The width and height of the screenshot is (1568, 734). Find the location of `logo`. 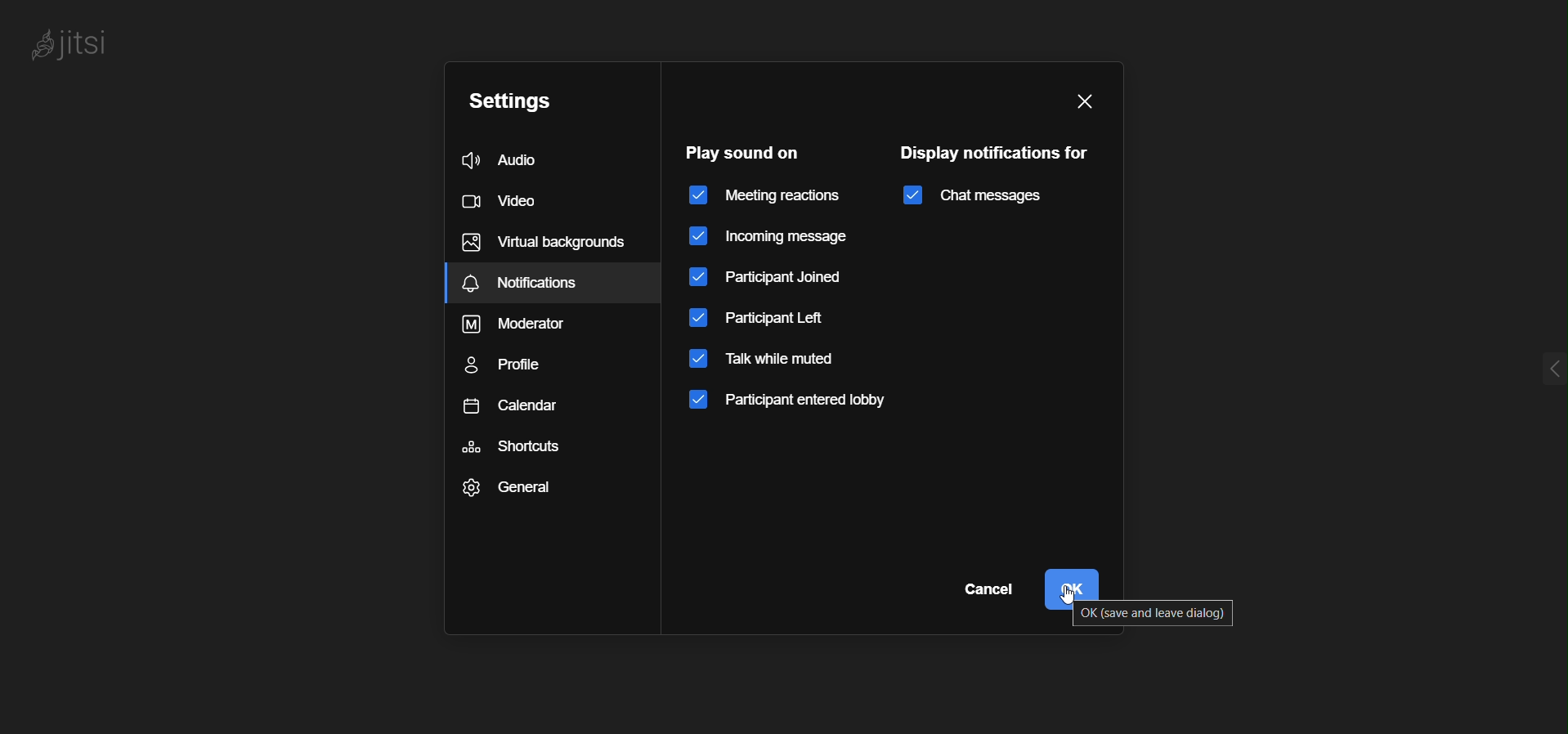

logo is located at coordinates (90, 46).